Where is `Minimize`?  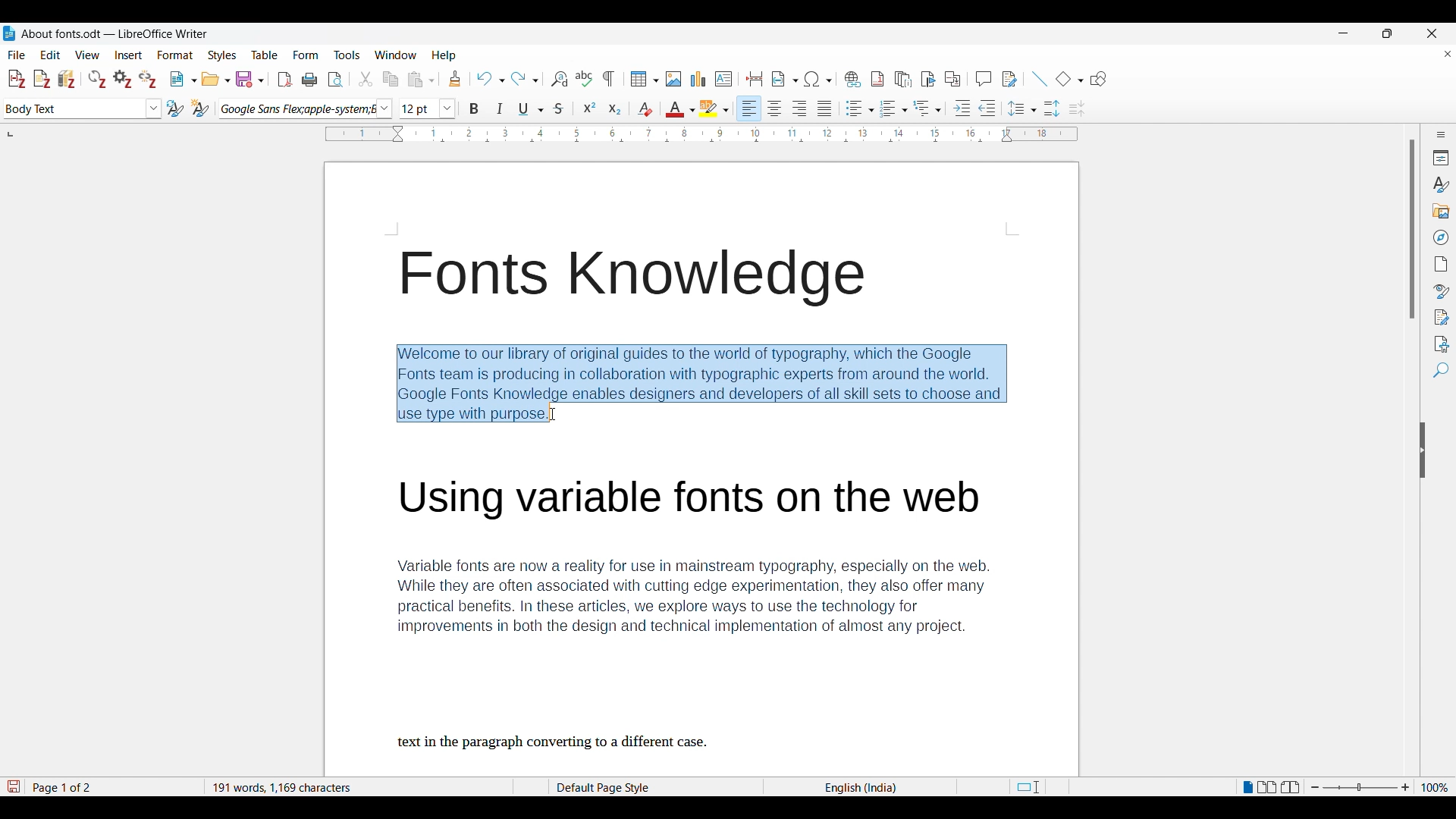
Minimize is located at coordinates (1344, 33).